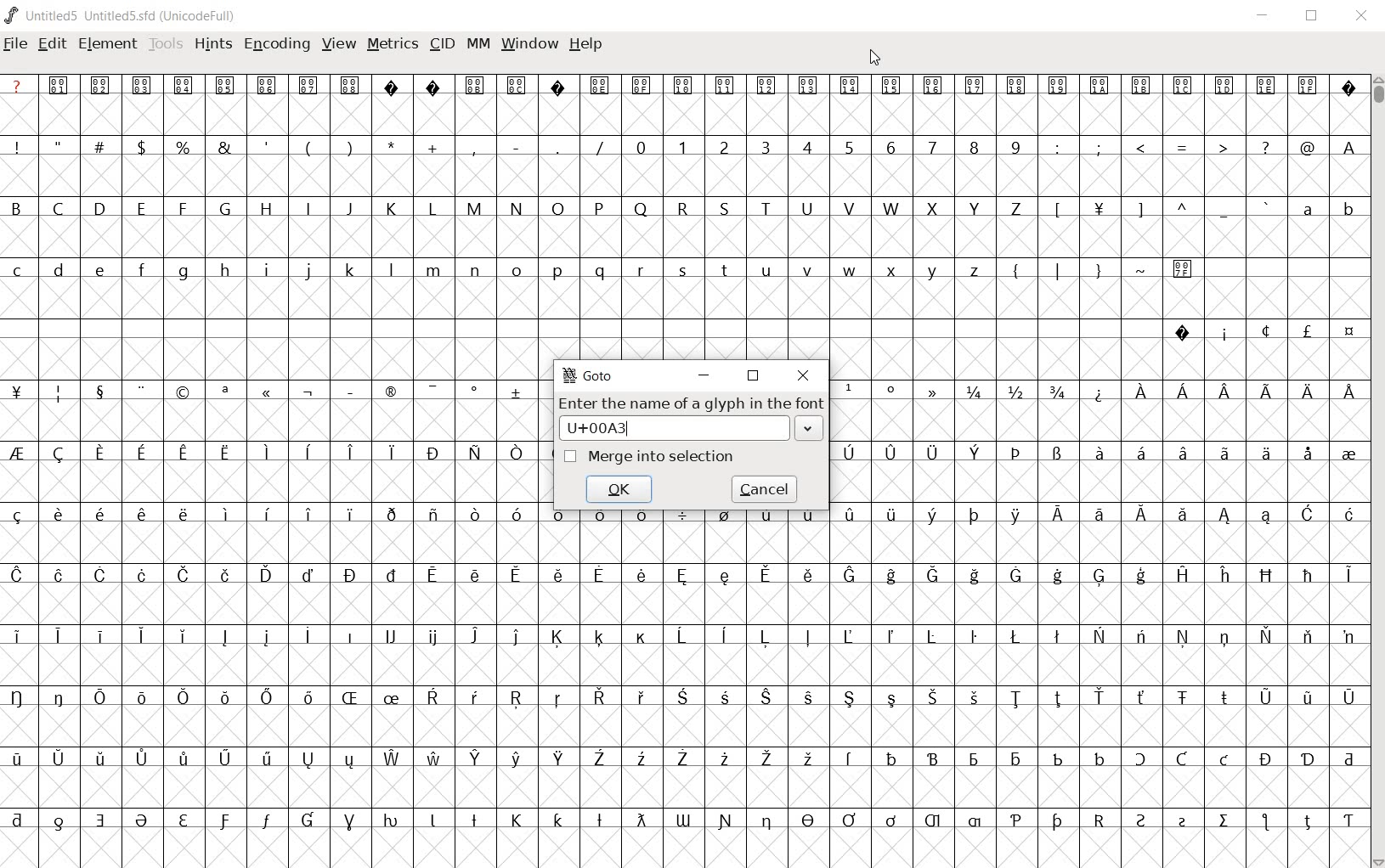 This screenshot has height=868, width=1385. I want to click on Symbol, so click(640, 697).